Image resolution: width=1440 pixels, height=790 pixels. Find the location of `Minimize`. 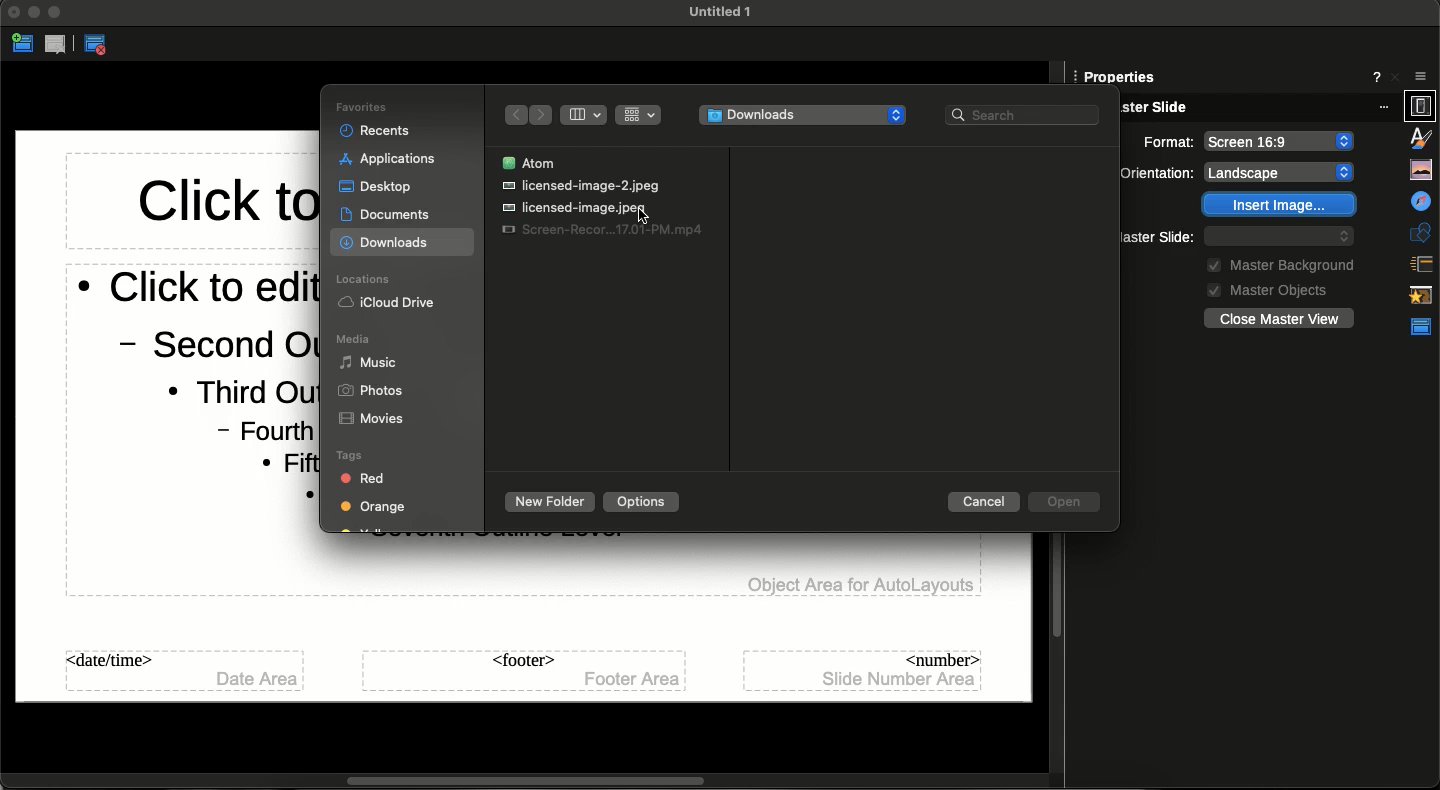

Minimize is located at coordinates (35, 14).